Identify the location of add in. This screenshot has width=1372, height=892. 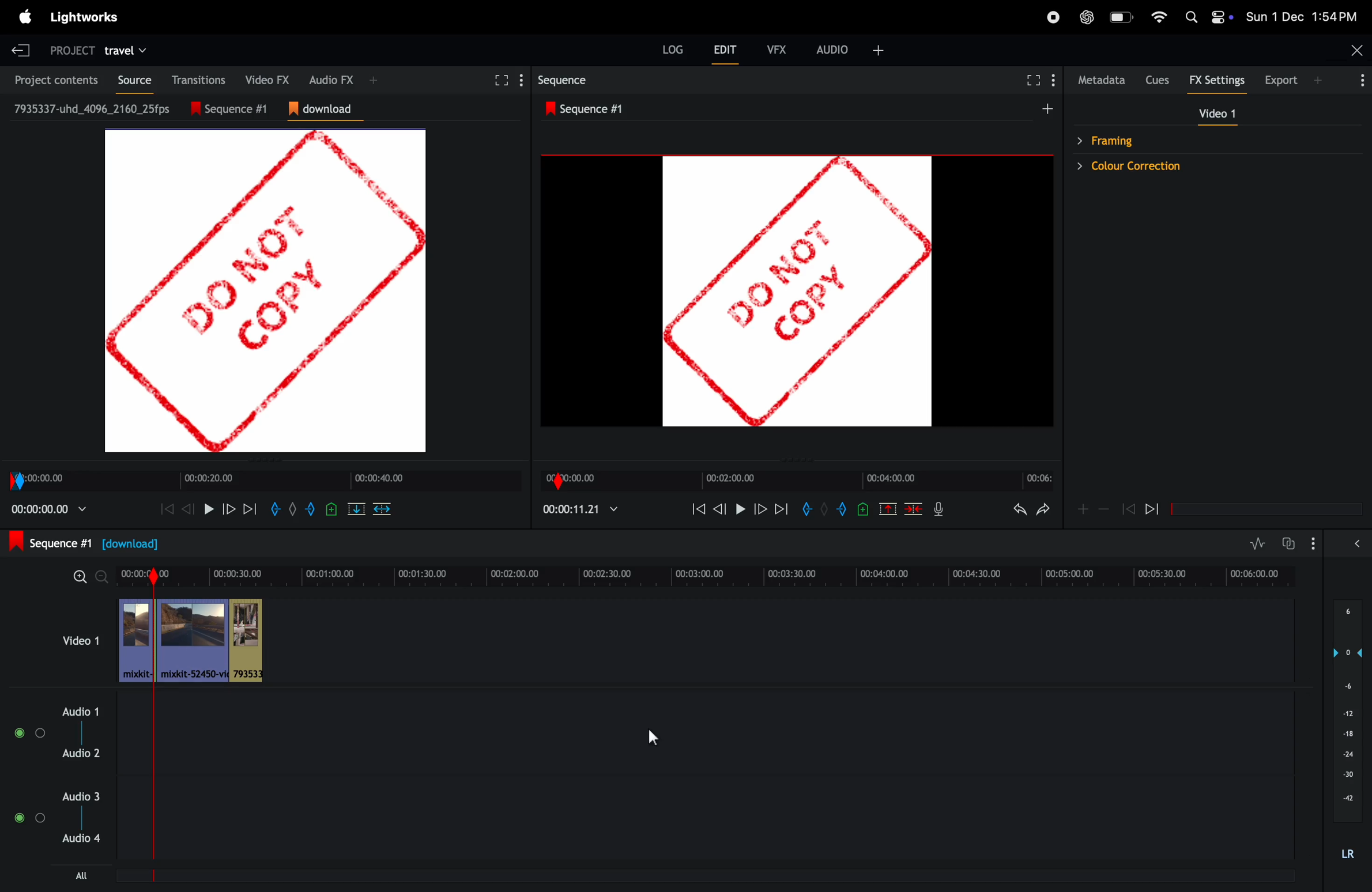
(805, 508).